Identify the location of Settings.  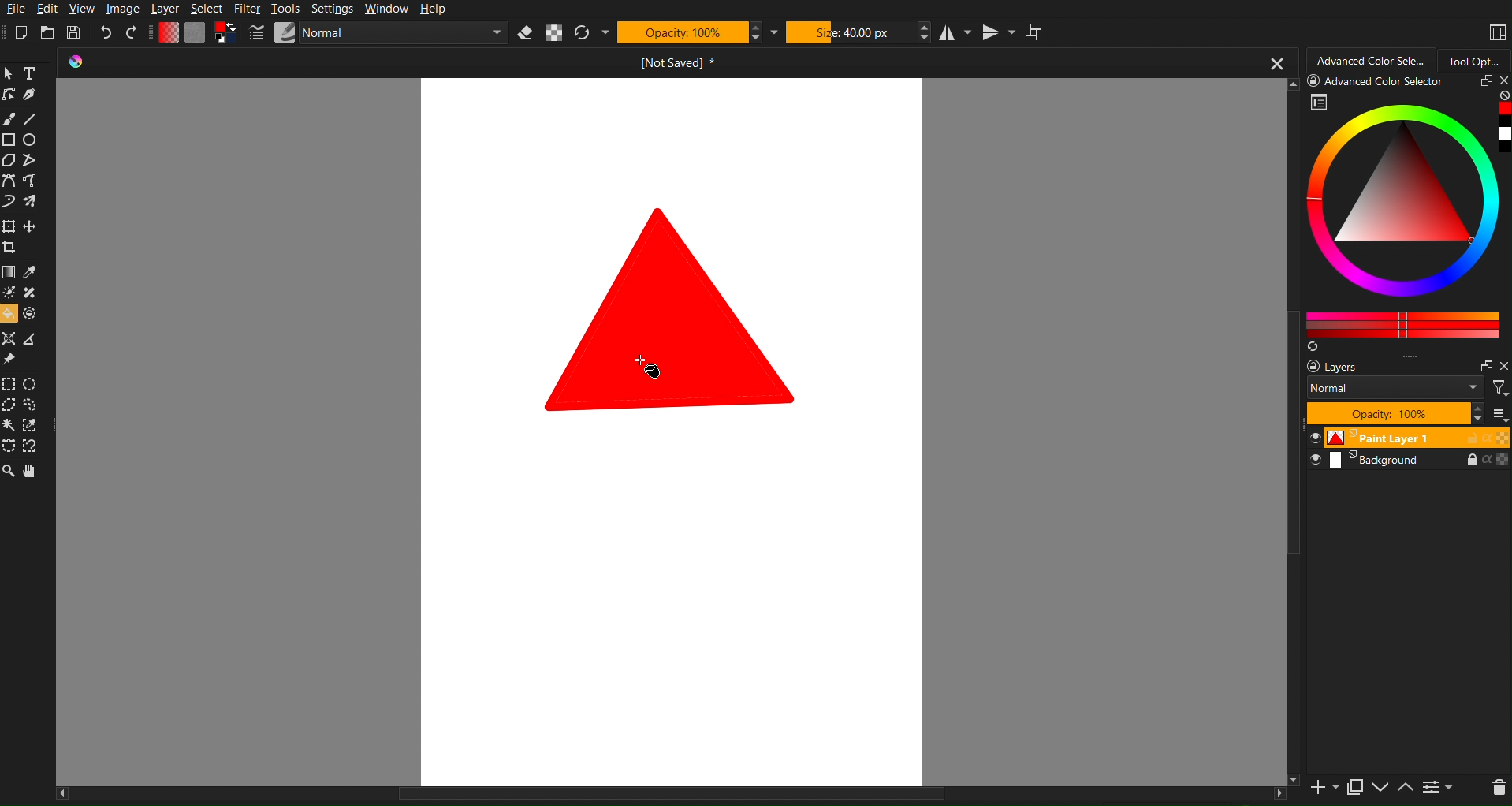
(332, 9).